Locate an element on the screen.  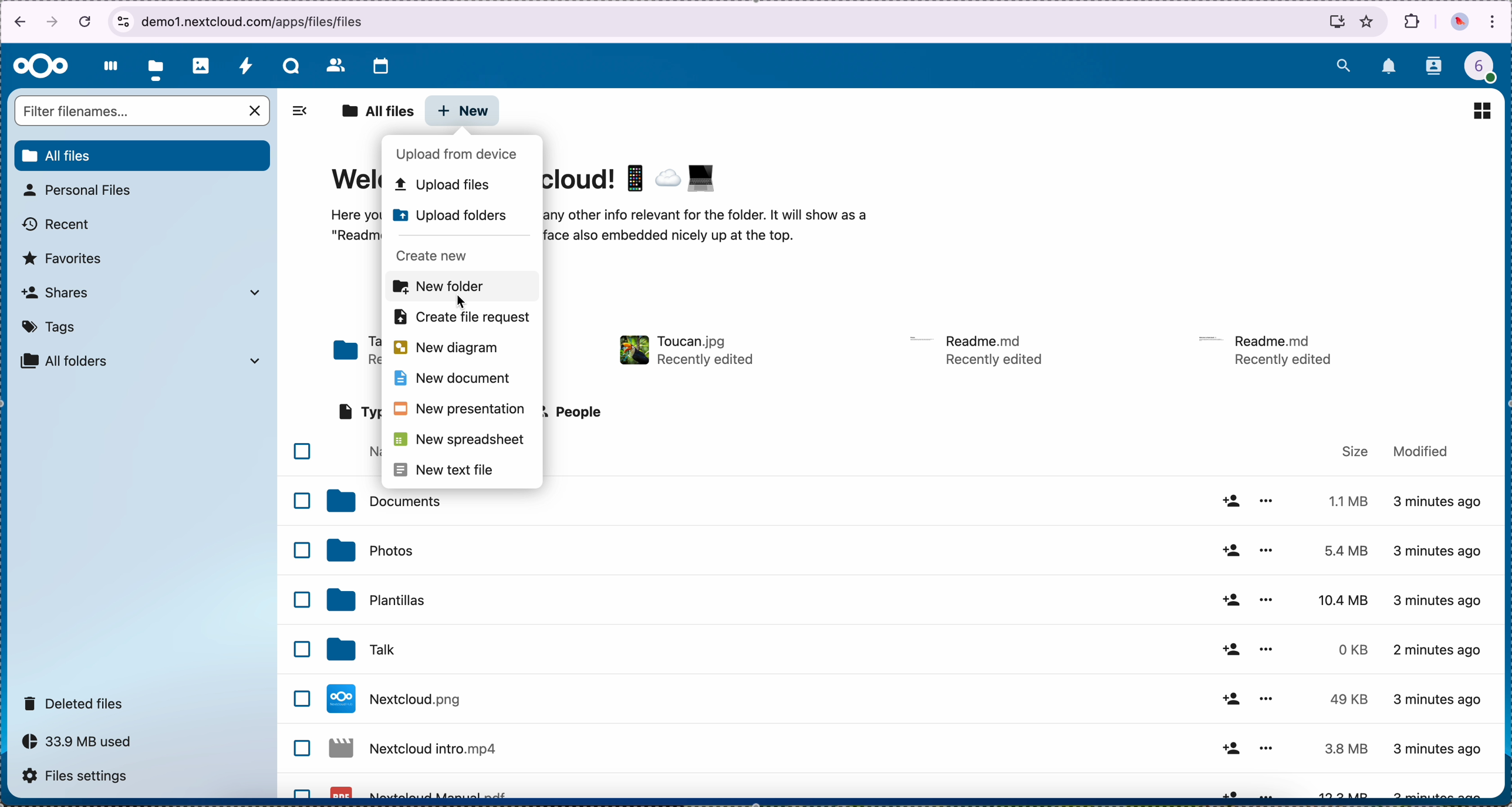
new document is located at coordinates (451, 381).